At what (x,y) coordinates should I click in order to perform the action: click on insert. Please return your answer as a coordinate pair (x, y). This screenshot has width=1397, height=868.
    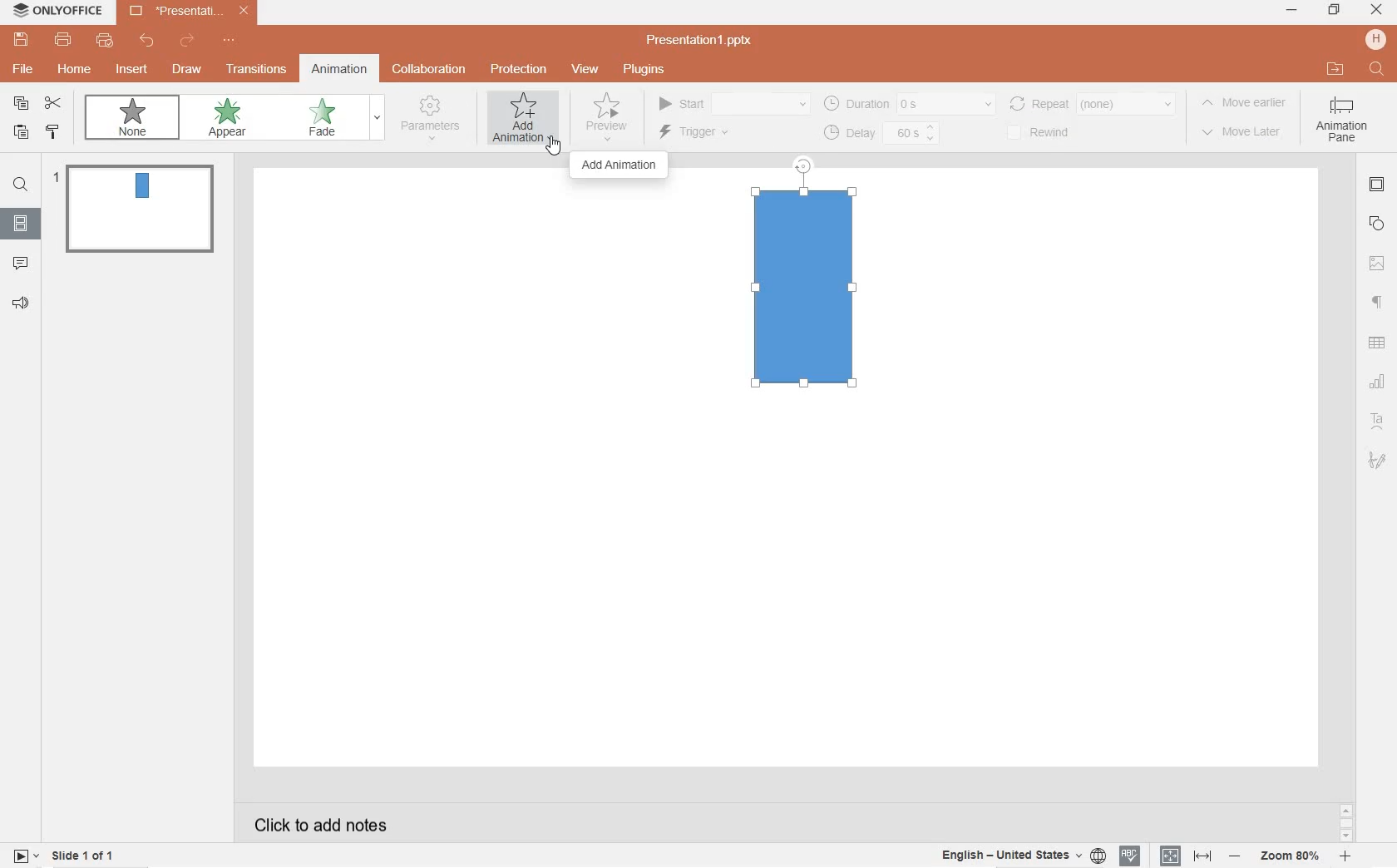
    Looking at the image, I should click on (135, 74).